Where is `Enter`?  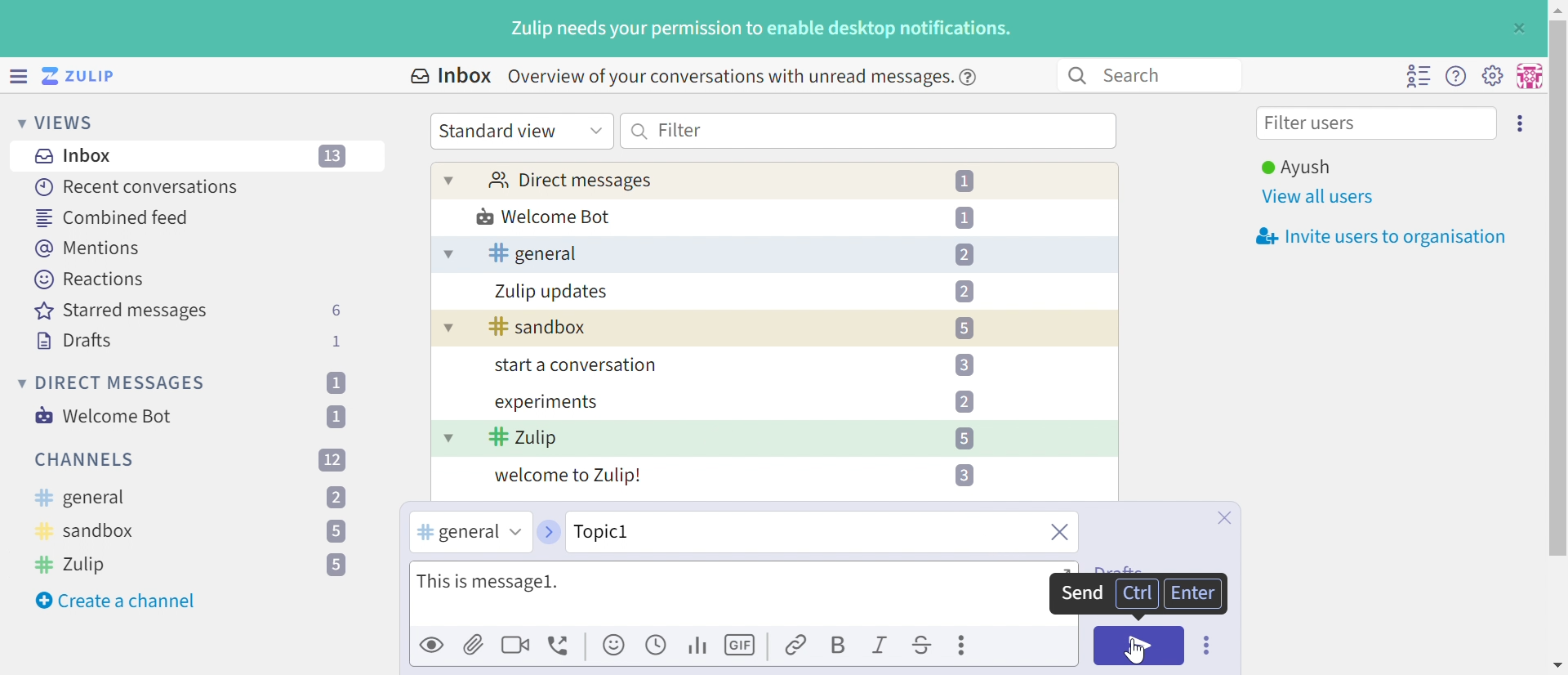
Enter is located at coordinates (1195, 592).